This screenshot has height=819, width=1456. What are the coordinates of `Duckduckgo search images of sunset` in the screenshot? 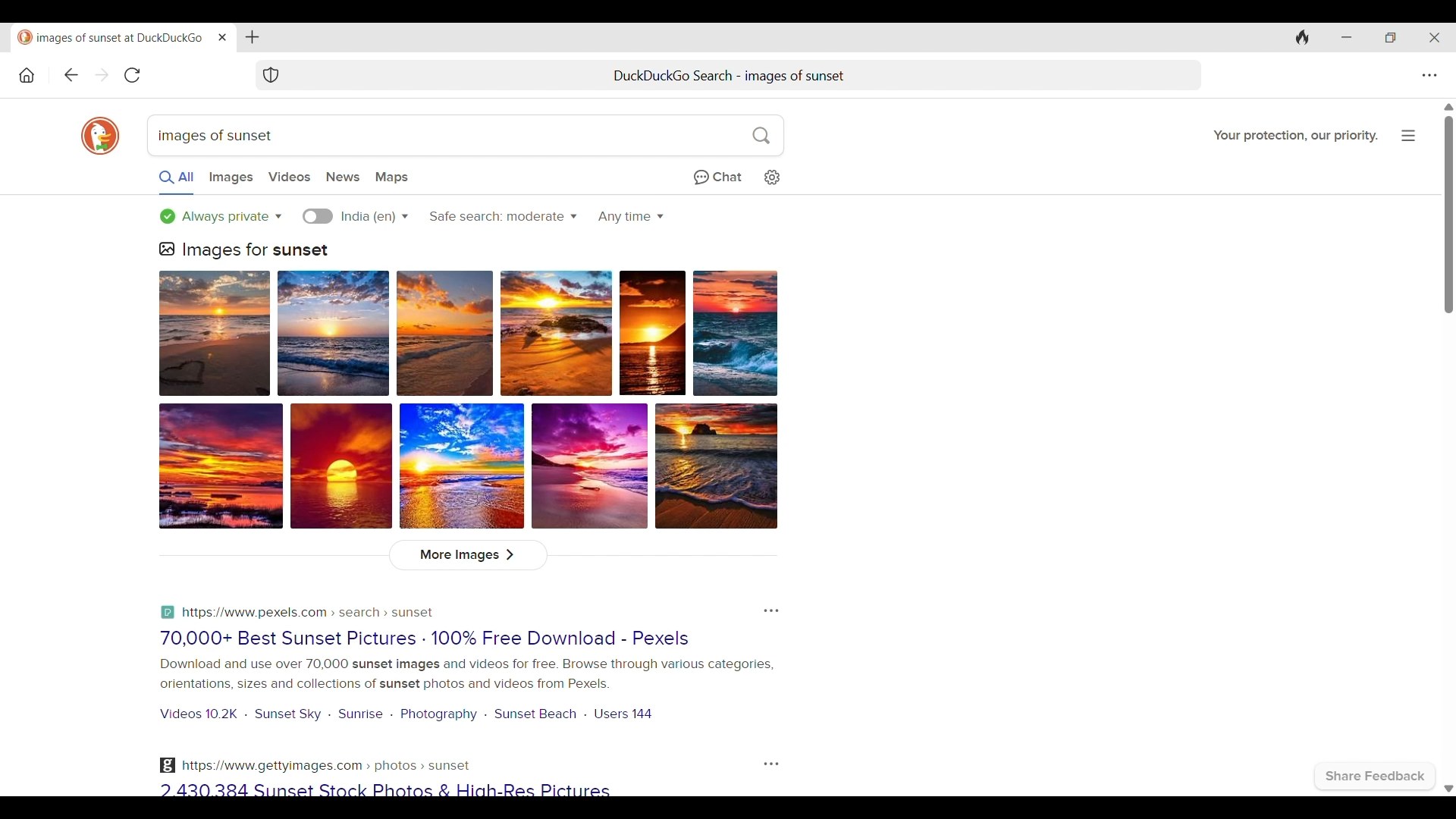 It's located at (725, 76).